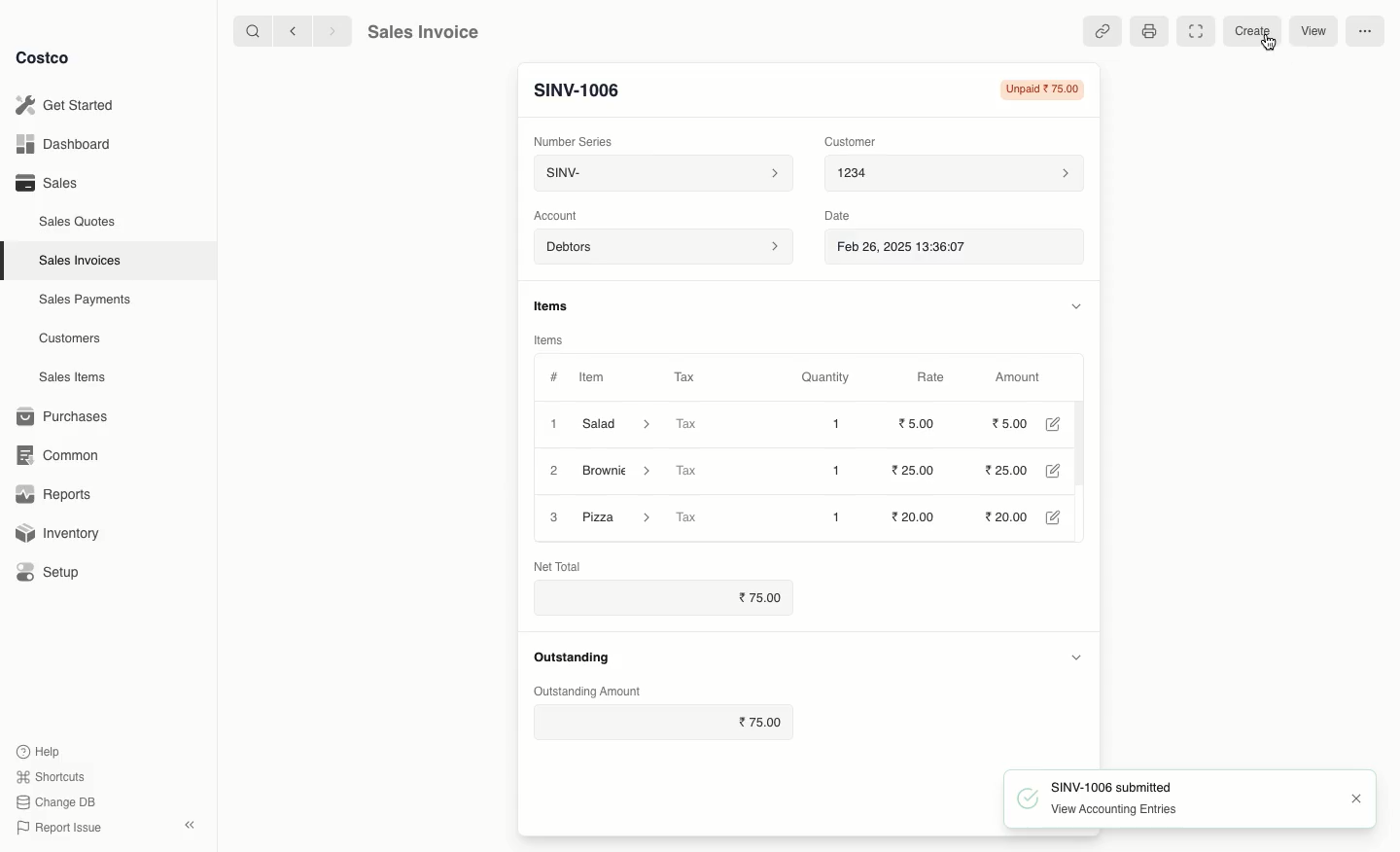 This screenshot has width=1400, height=852. What do you see at coordinates (67, 416) in the screenshot?
I see `Purchases` at bounding box center [67, 416].